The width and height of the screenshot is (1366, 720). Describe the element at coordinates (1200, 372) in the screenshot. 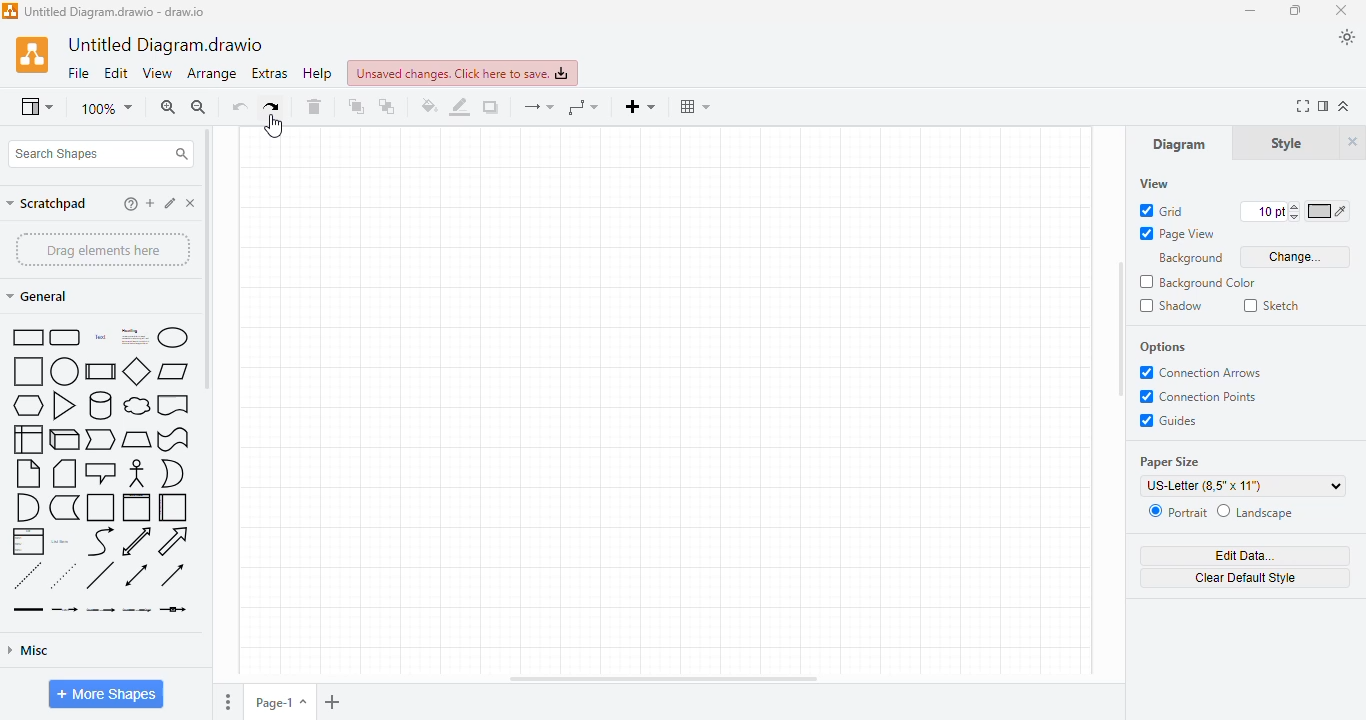

I see `connection arrows` at that location.